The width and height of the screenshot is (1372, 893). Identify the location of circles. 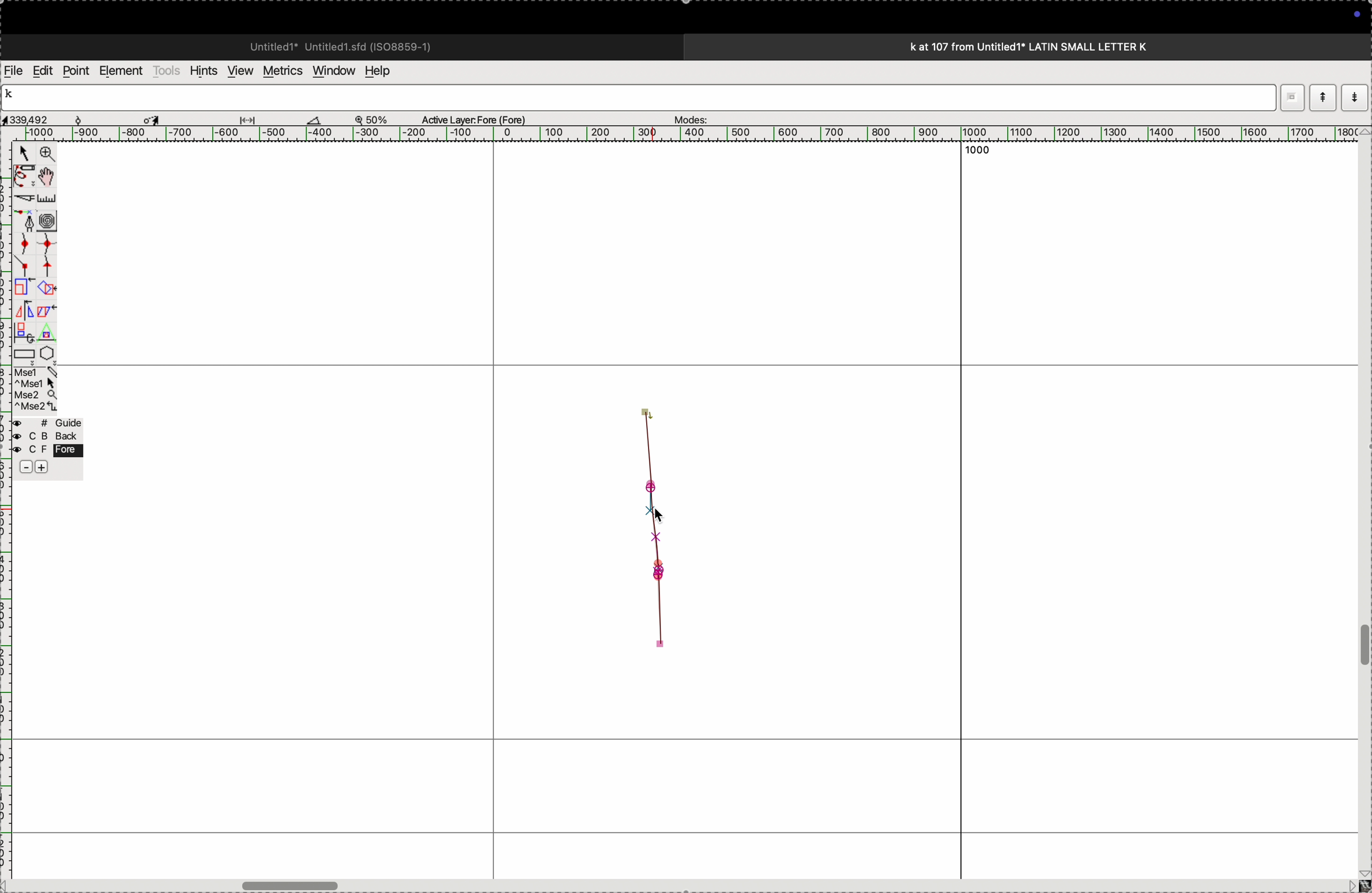
(52, 220).